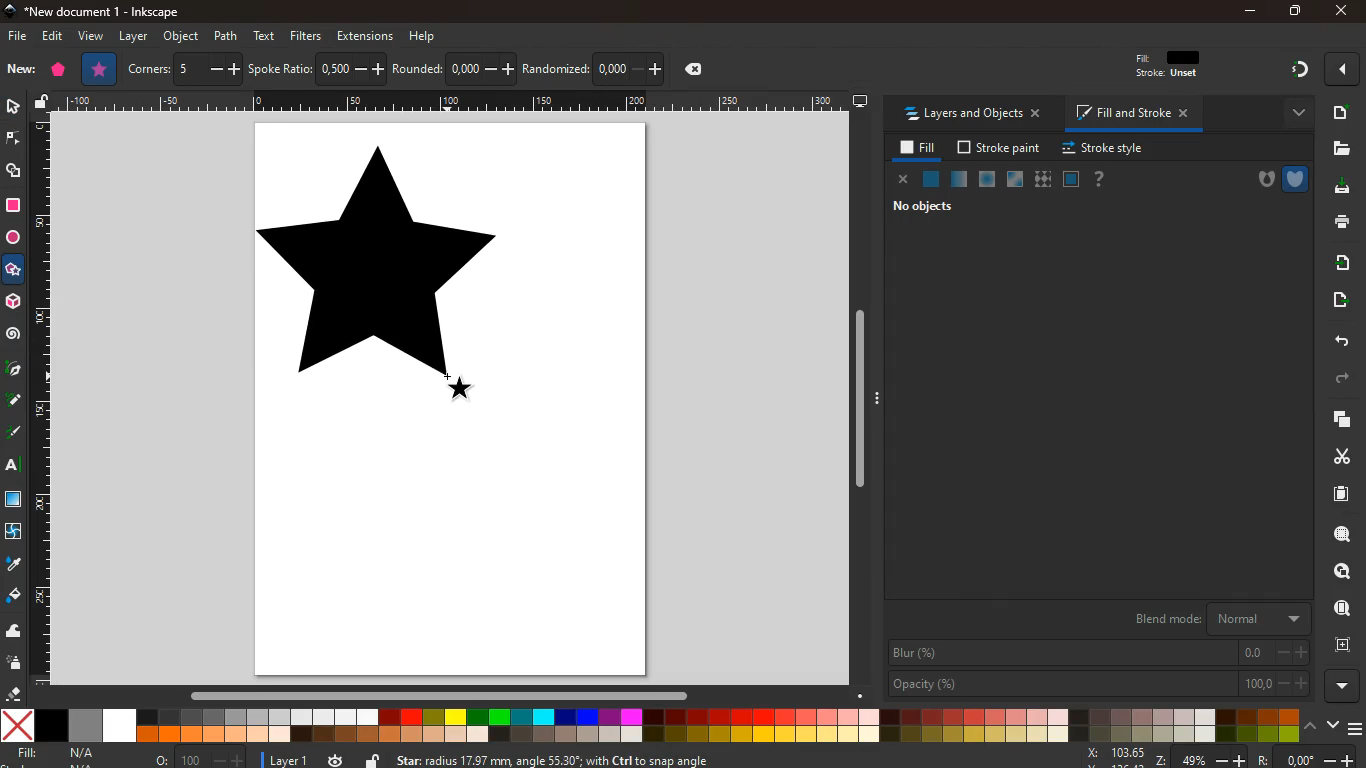  What do you see at coordinates (317, 68) in the screenshot?
I see `spoke ratio` at bounding box center [317, 68].